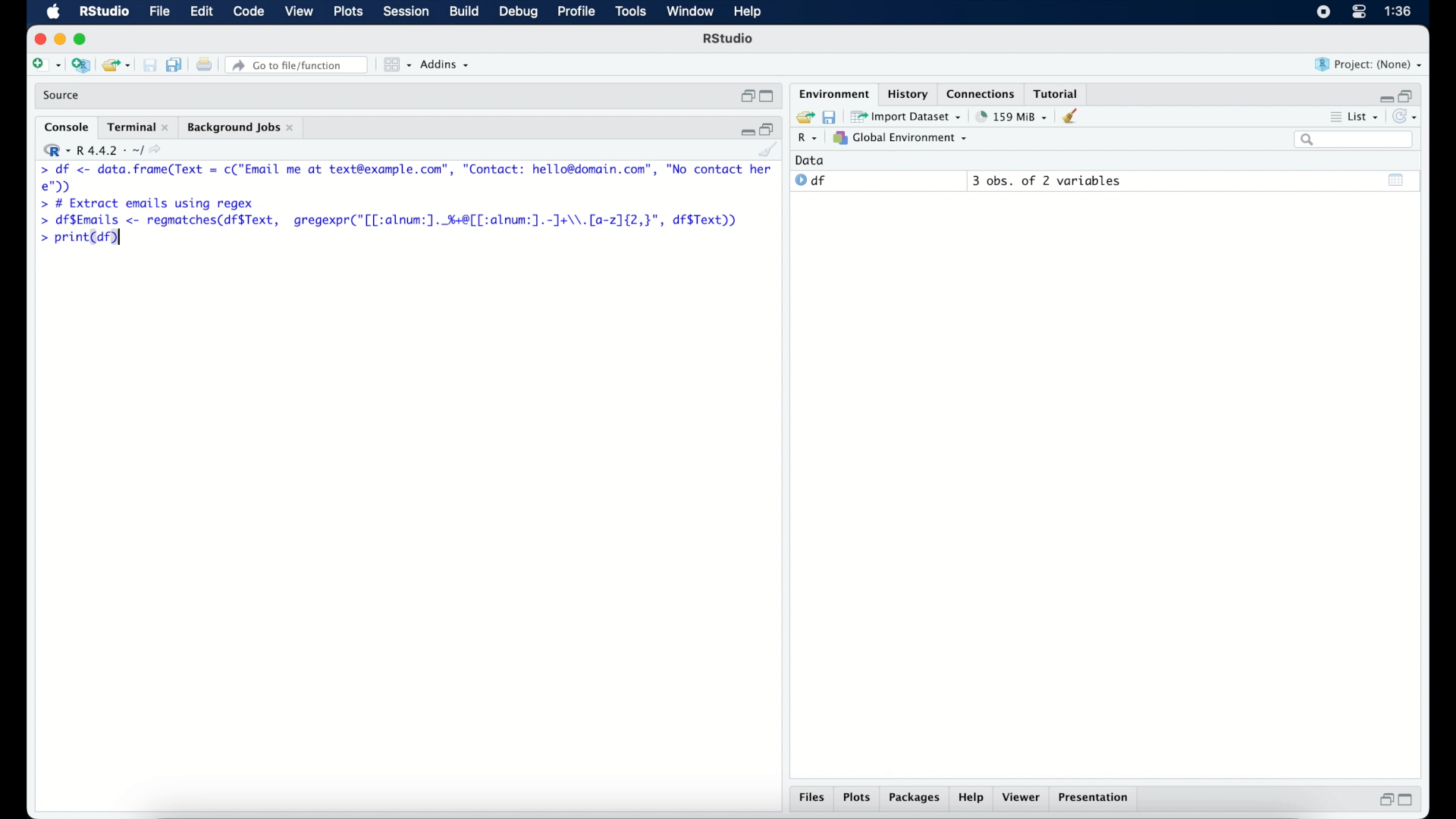 The image size is (1456, 819). What do you see at coordinates (1073, 117) in the screenshot?
I see `clear console` at bounding box center [1073, 117].